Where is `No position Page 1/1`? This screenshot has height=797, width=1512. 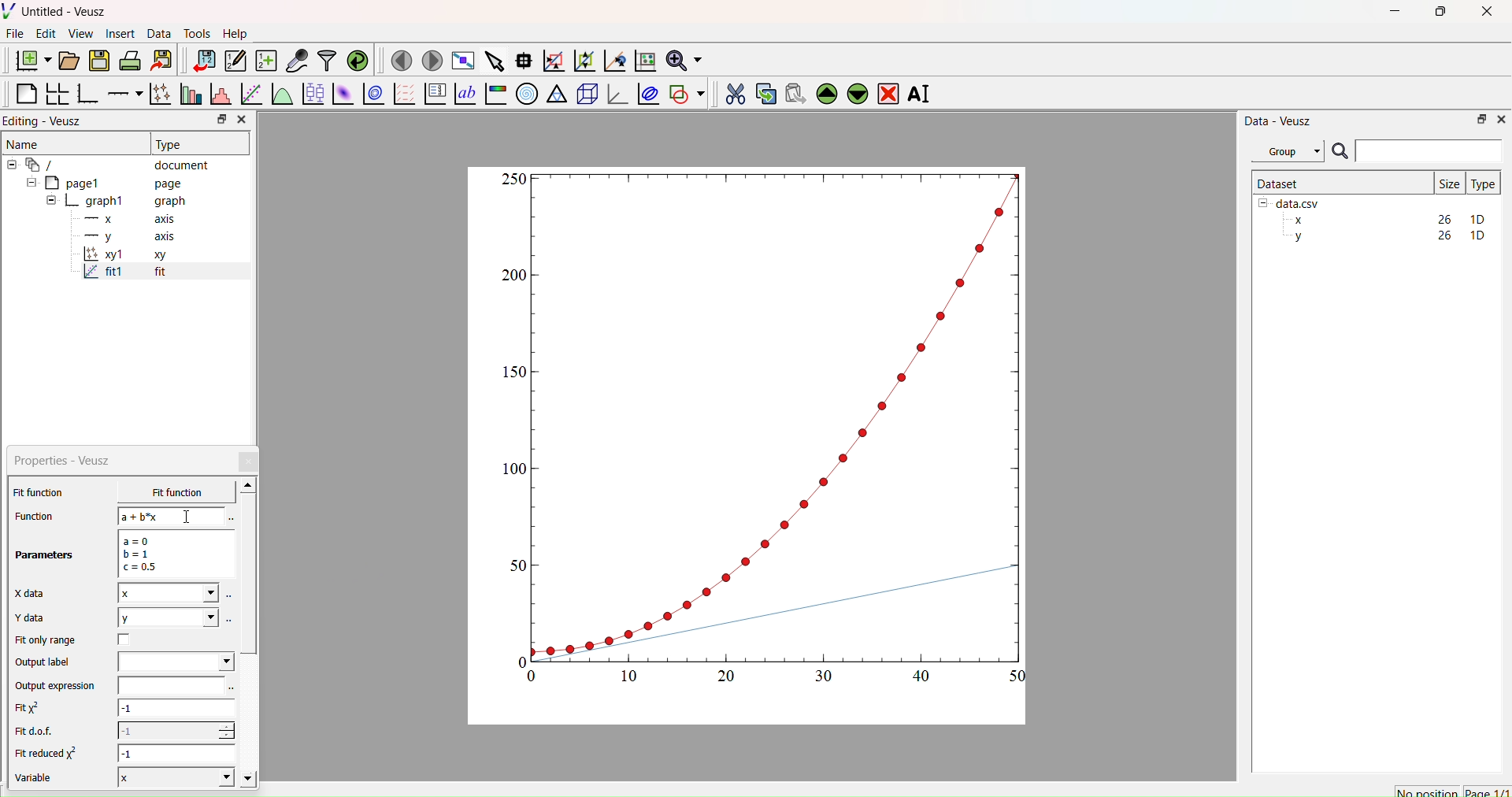 No position Page 1/1 is located at coordinates (1451, 791).